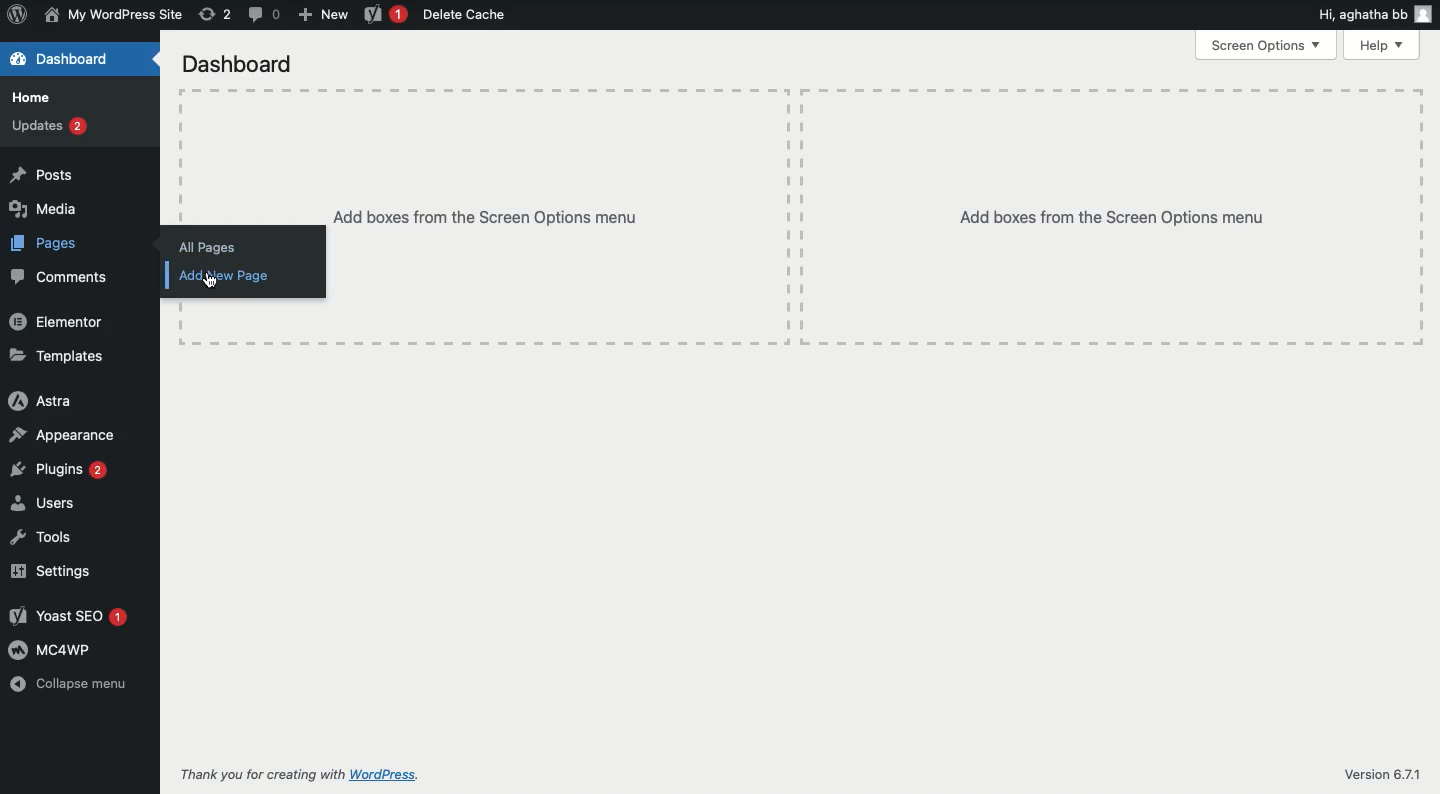 The width and height of the screenshot is (1440, 794). What do you see at coordinates (1269, 44) in the screenshot?
I see `Screen Options` at bounding box center [1269, 44].